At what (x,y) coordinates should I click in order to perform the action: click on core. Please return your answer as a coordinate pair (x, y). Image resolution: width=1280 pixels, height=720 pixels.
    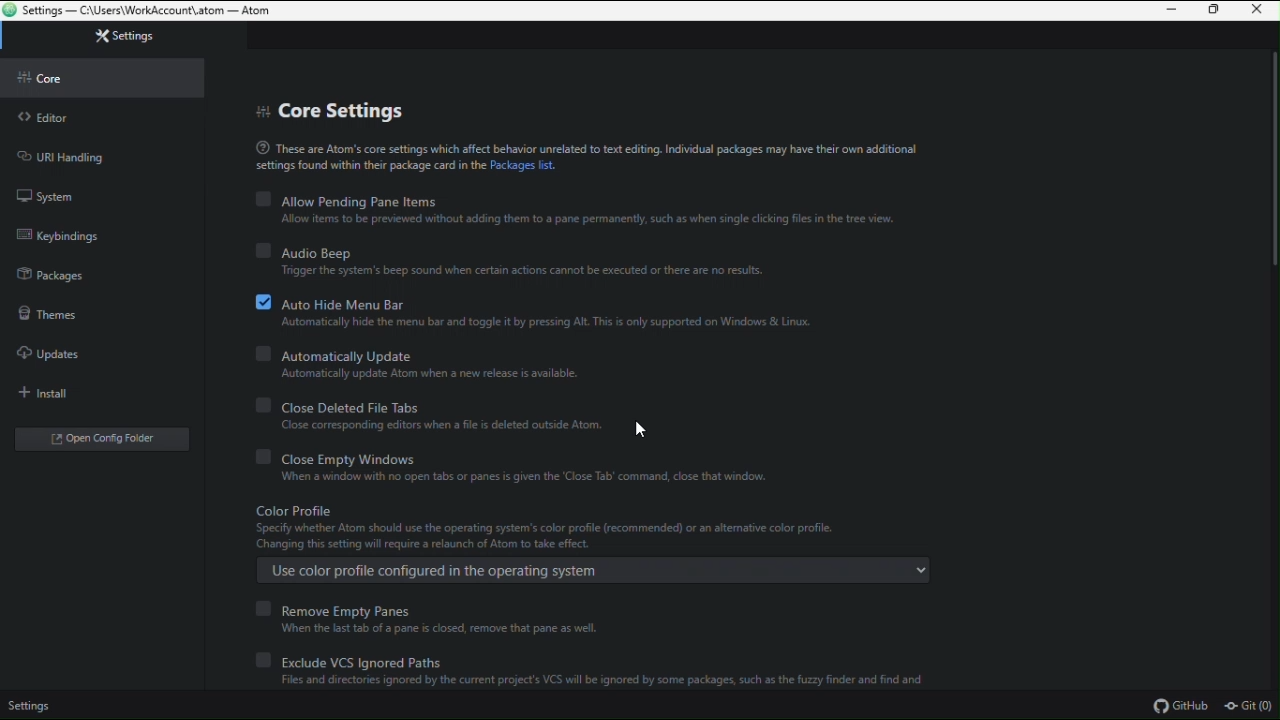
    Looking at the image, I should click on (99, 75).